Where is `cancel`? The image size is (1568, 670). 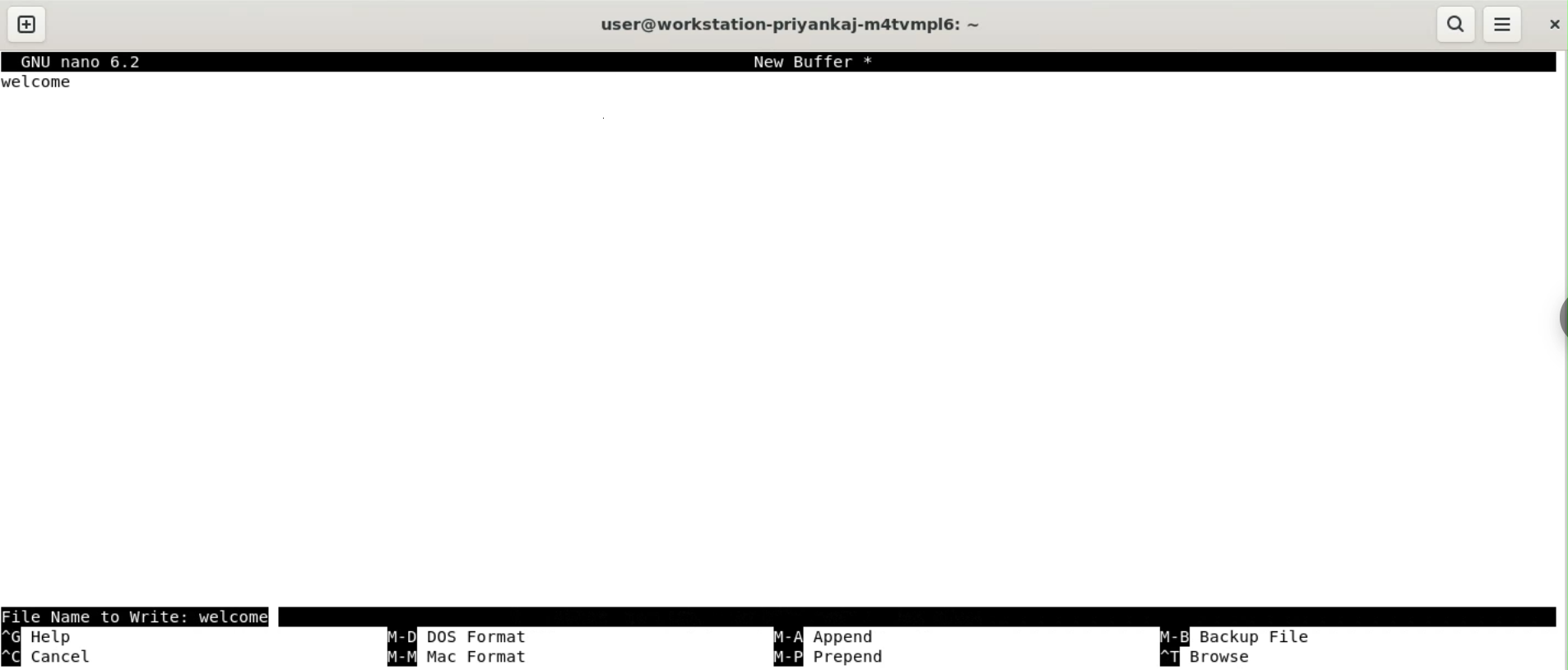 cancel is located at coordinates (44, 656).